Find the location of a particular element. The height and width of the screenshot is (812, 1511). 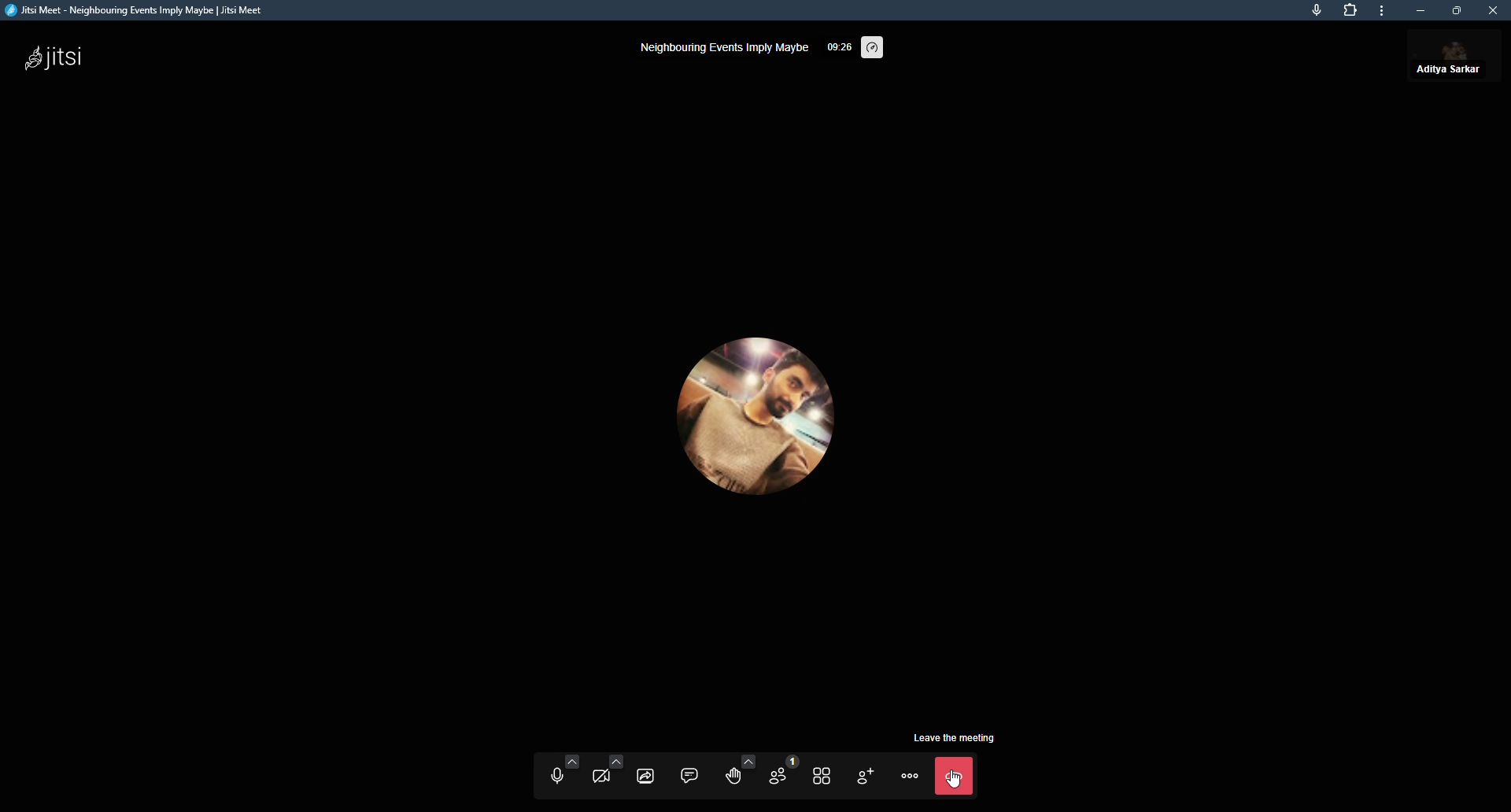

leave the meeting is located at coordinates (960, 736).